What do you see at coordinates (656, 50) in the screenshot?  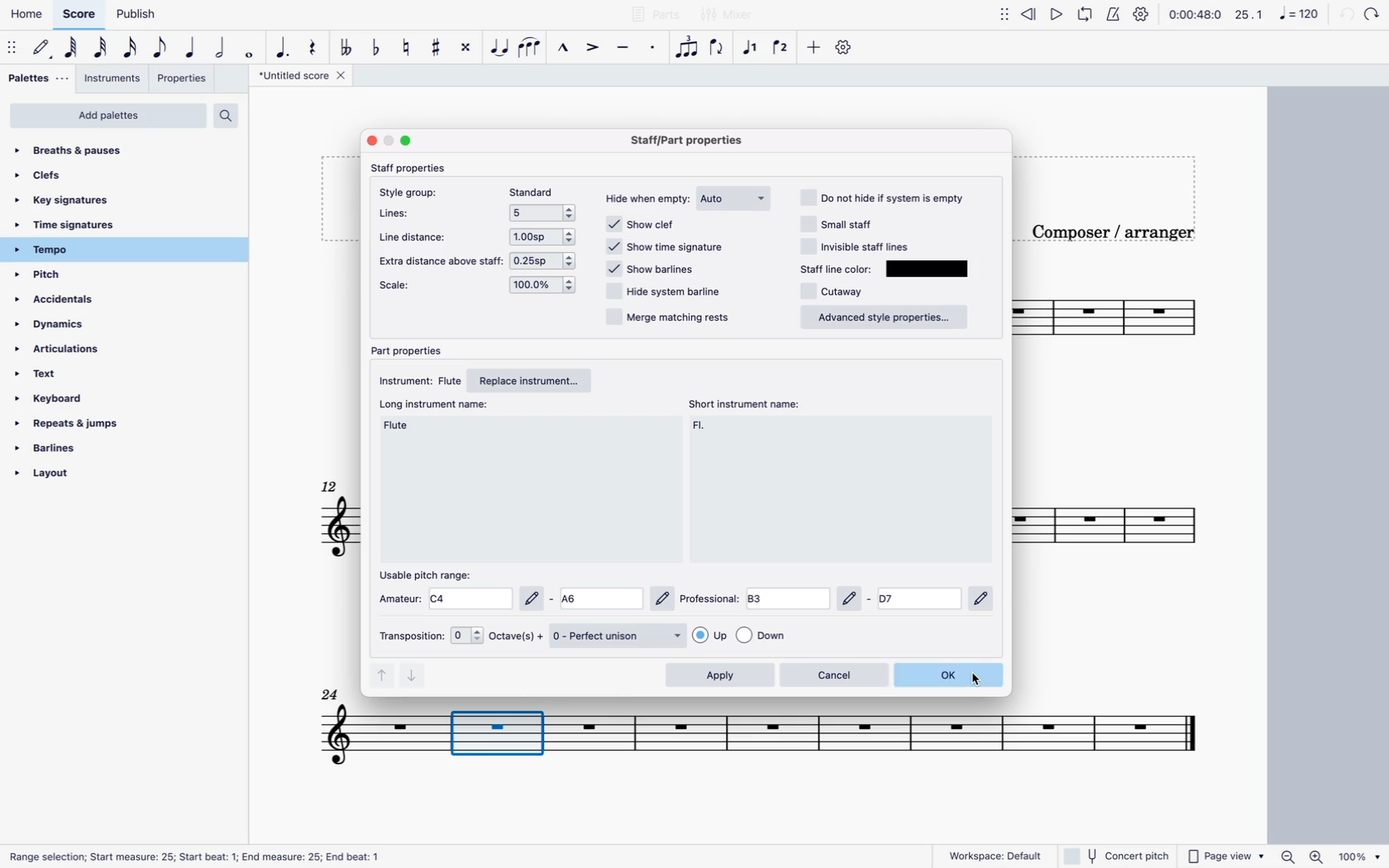 I see `staccato` at bounding box center [656, 50].